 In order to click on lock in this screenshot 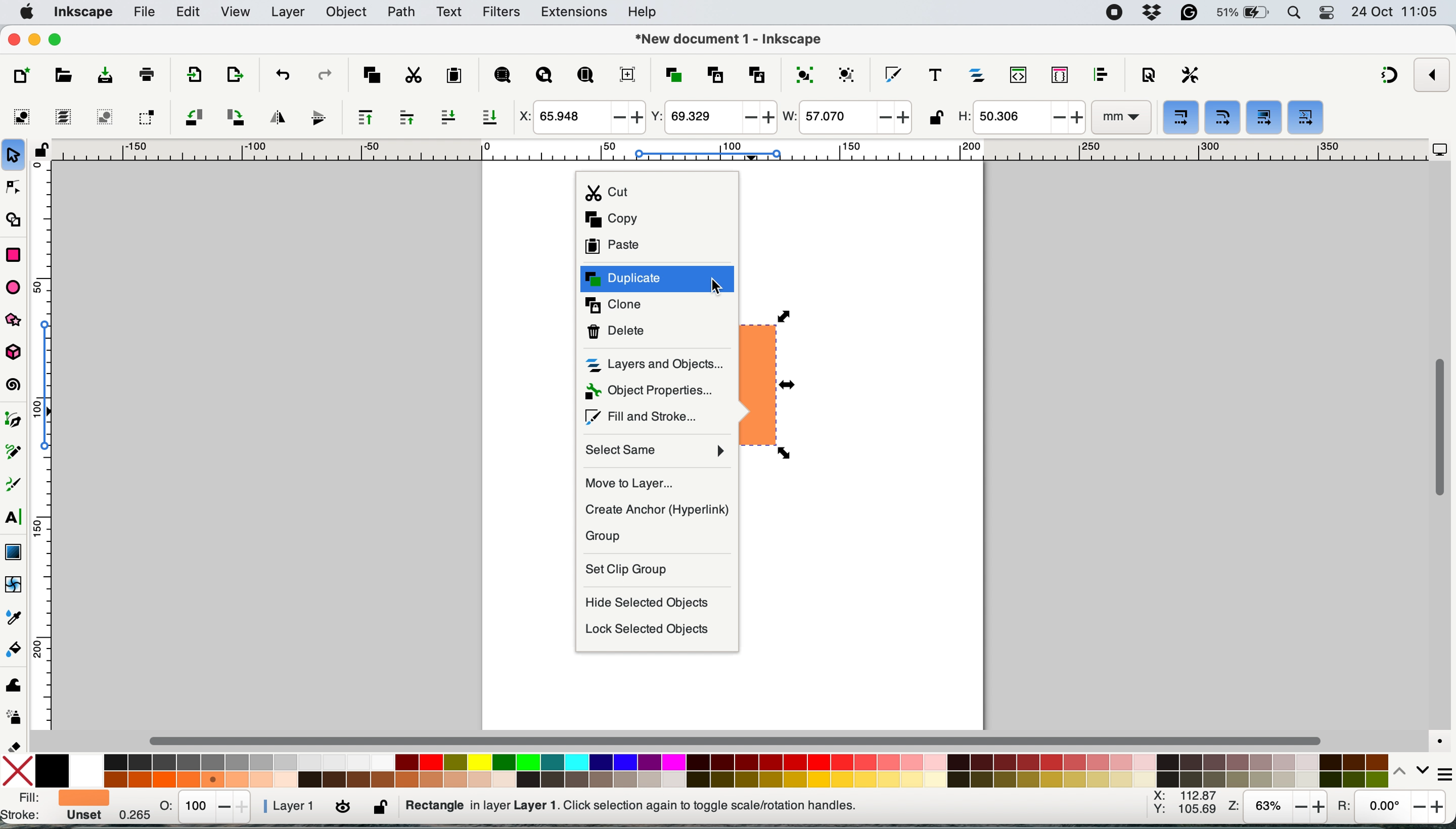, I will do `click(41, 154)`.